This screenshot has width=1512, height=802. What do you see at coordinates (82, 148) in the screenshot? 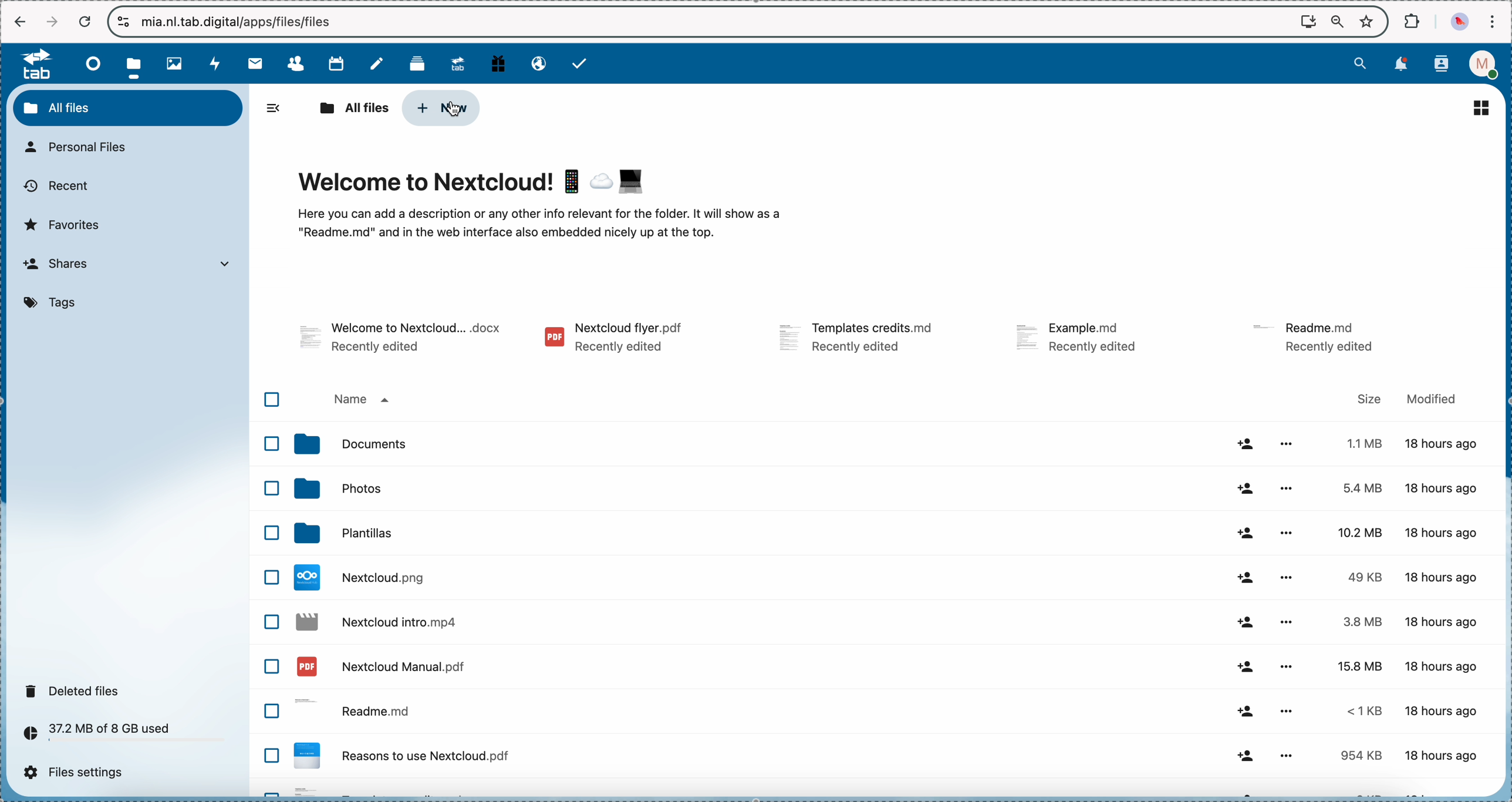
I see `personal files` at bounding box center [82, 148].